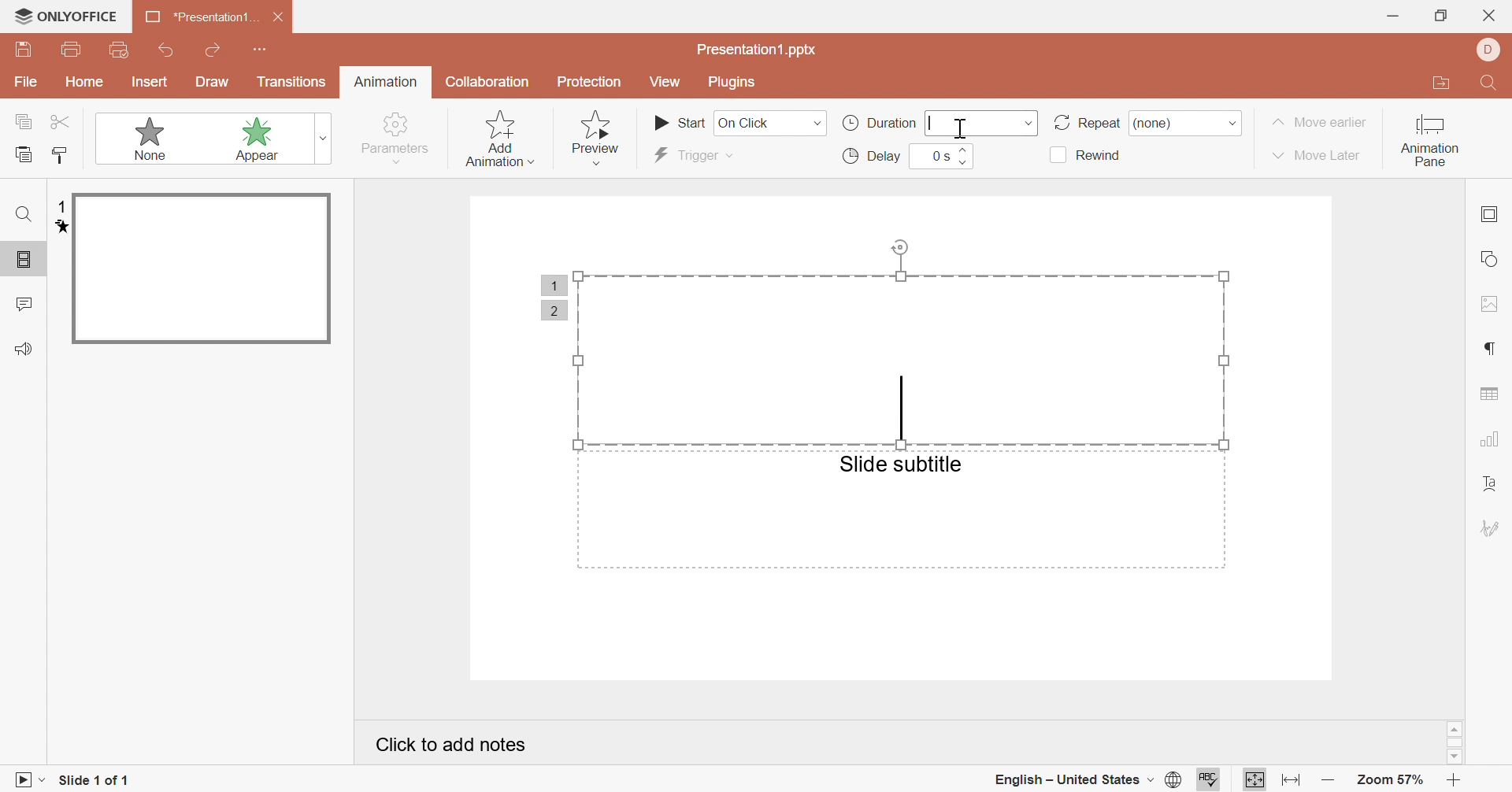 The width and height of the screenshot is (1512, 792). What do you see at coordinates (1491, 527) in the screenshot?
I see `signature settings` at bounding box center [1491, 527].